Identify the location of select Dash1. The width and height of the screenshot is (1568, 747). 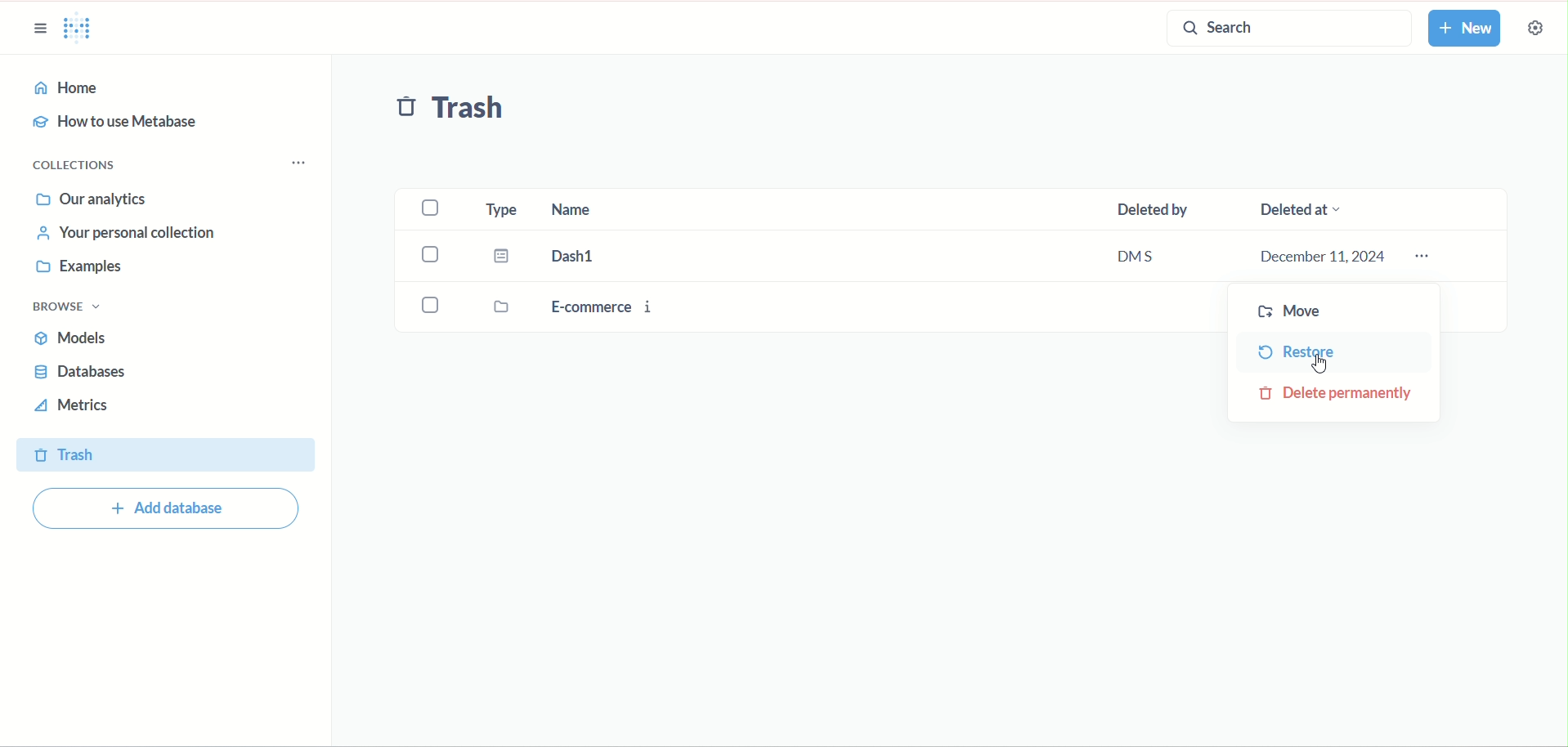
(435, 254).